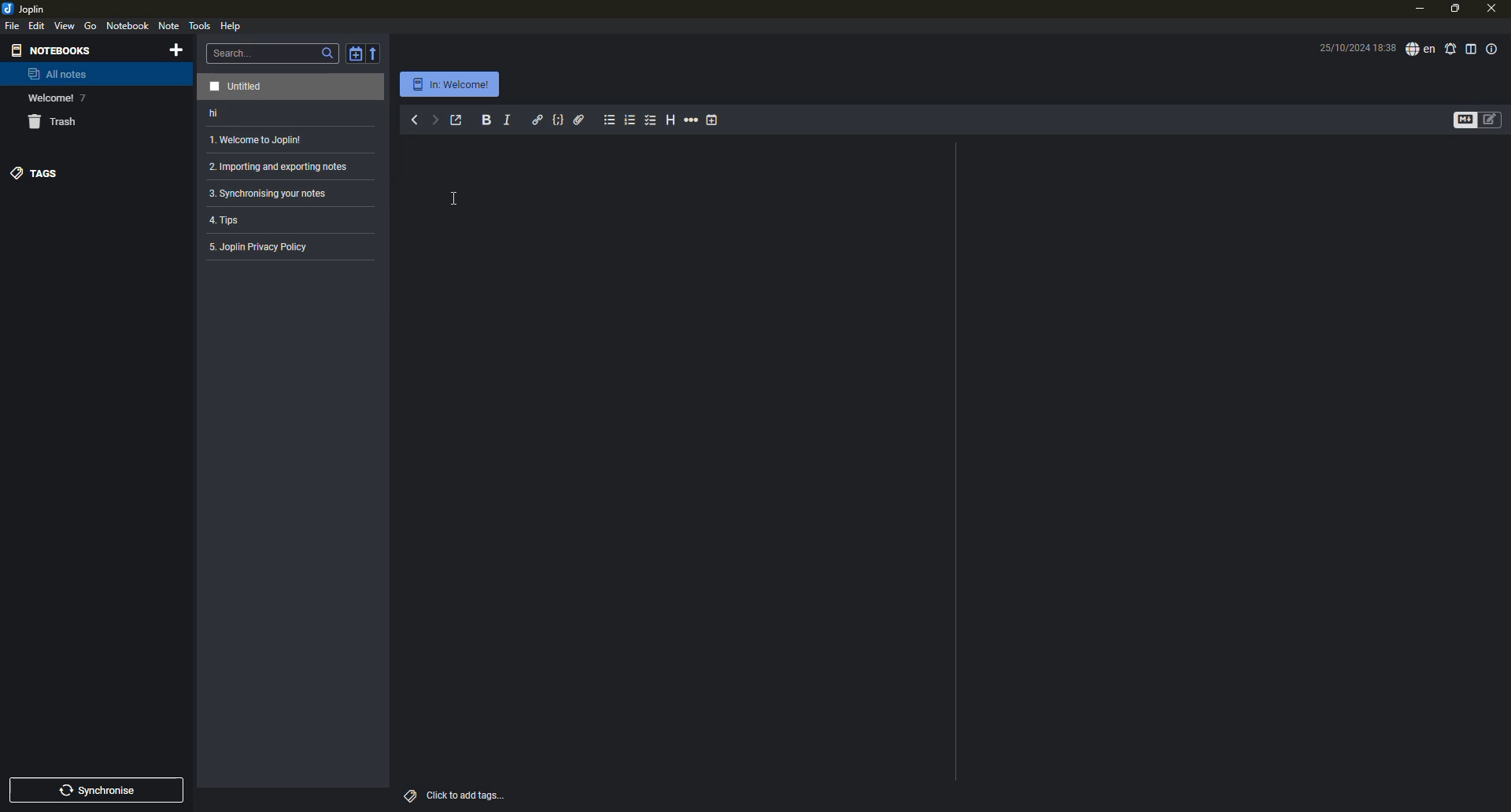  What do you see at coordinates (238, 221) in the screenshot?
I see `4. Tips` at bounding box center [238, 221].